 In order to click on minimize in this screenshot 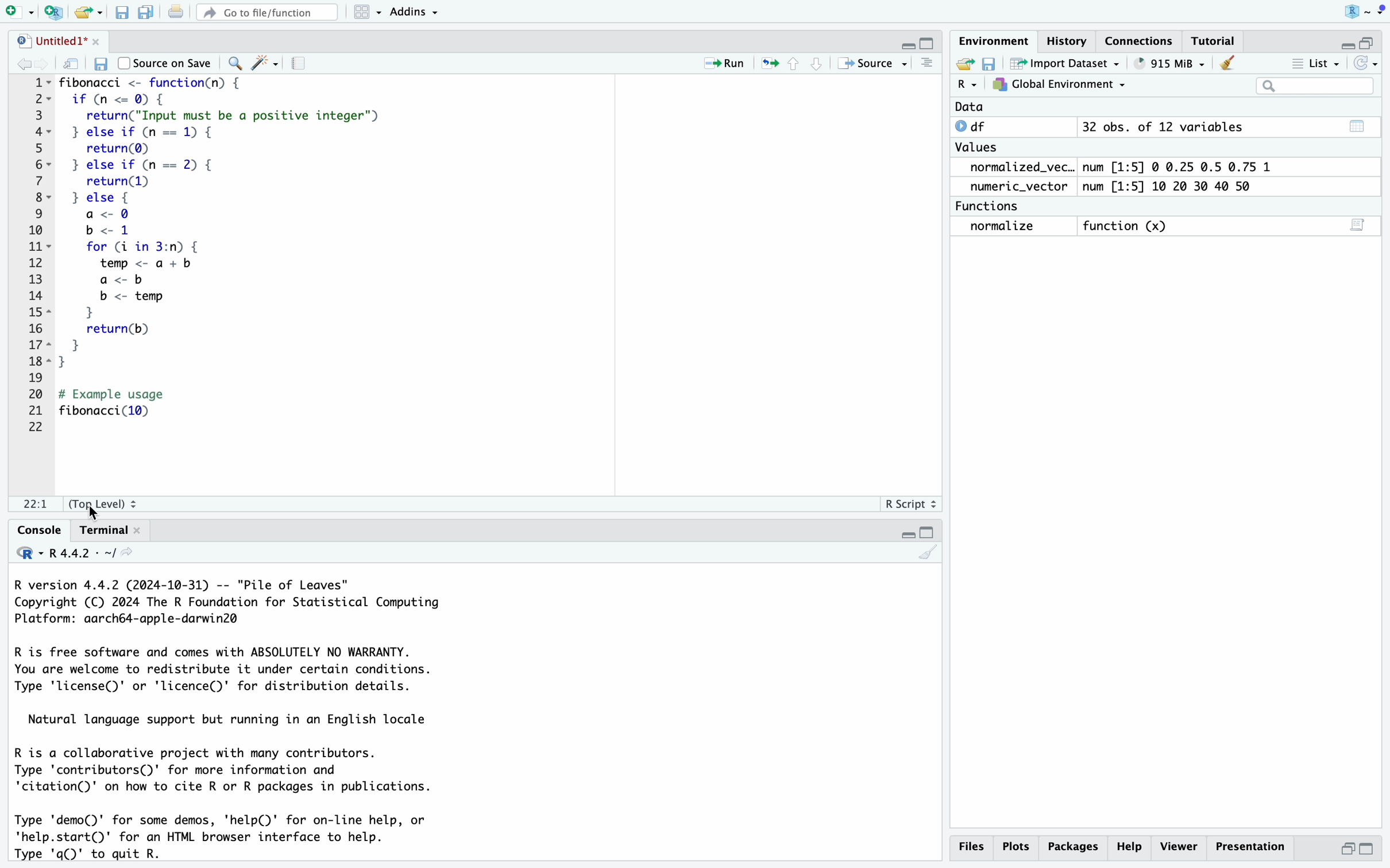, I will do `click(1347, 849)`.